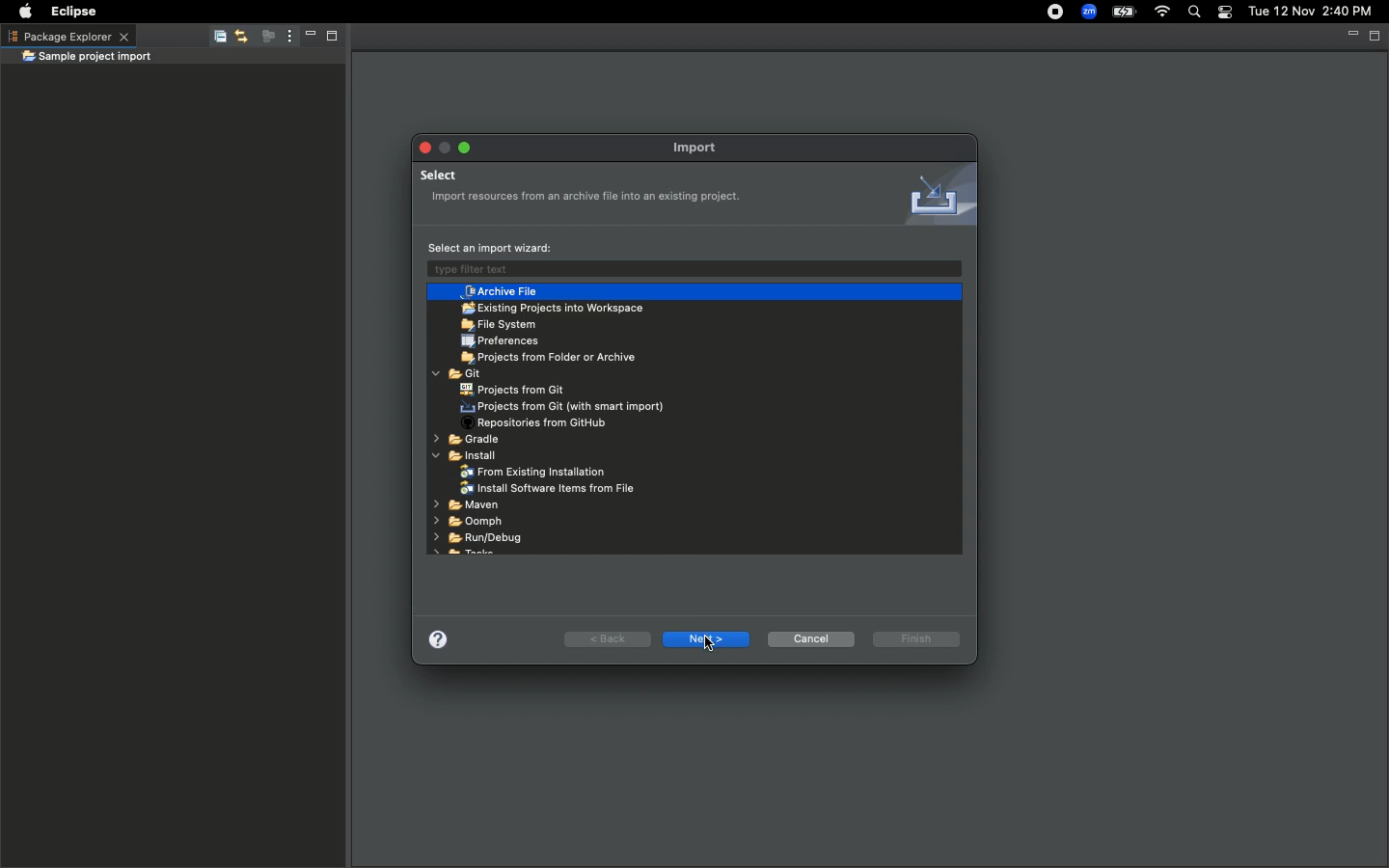 The height and width of the screenshot is (868, 1389). Describe the element at coordinates (552, 309) in the screenshot. I see `Existing projects into workspace` at that location.